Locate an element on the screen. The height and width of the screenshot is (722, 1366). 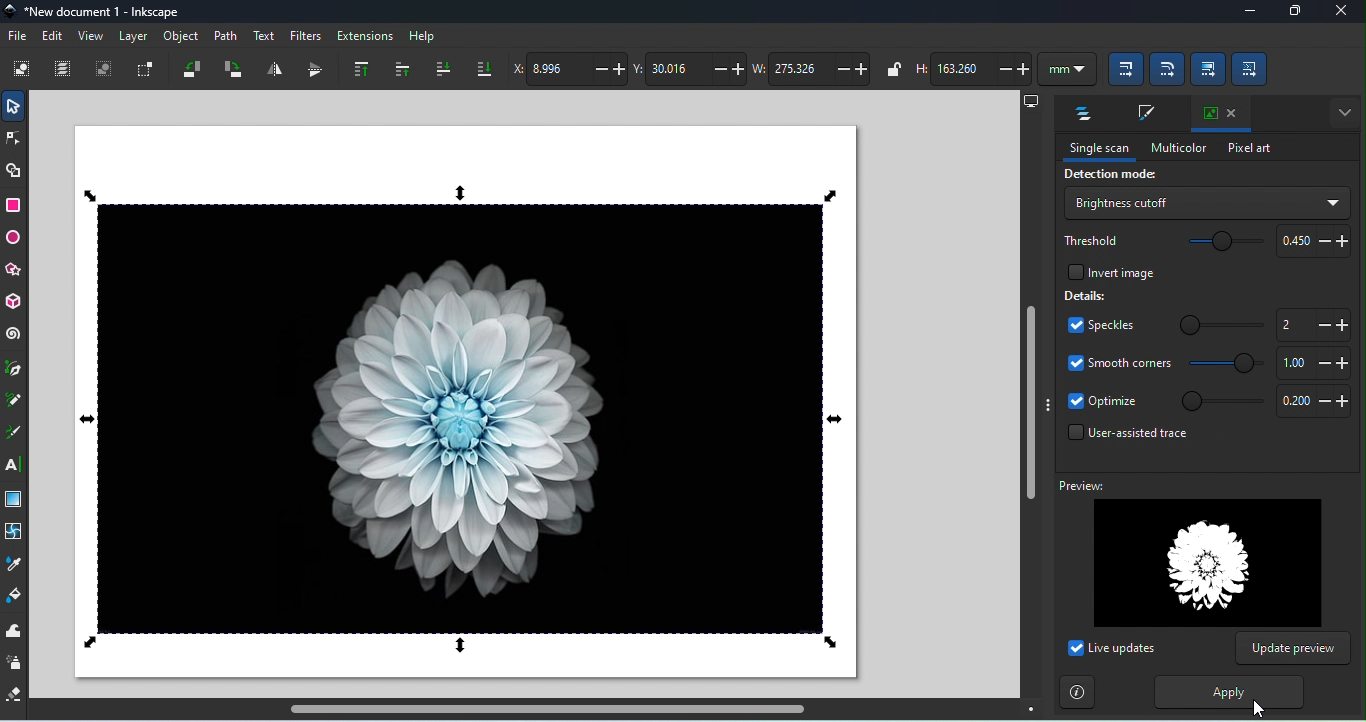
Canvas is located at coordinates (464, 402).